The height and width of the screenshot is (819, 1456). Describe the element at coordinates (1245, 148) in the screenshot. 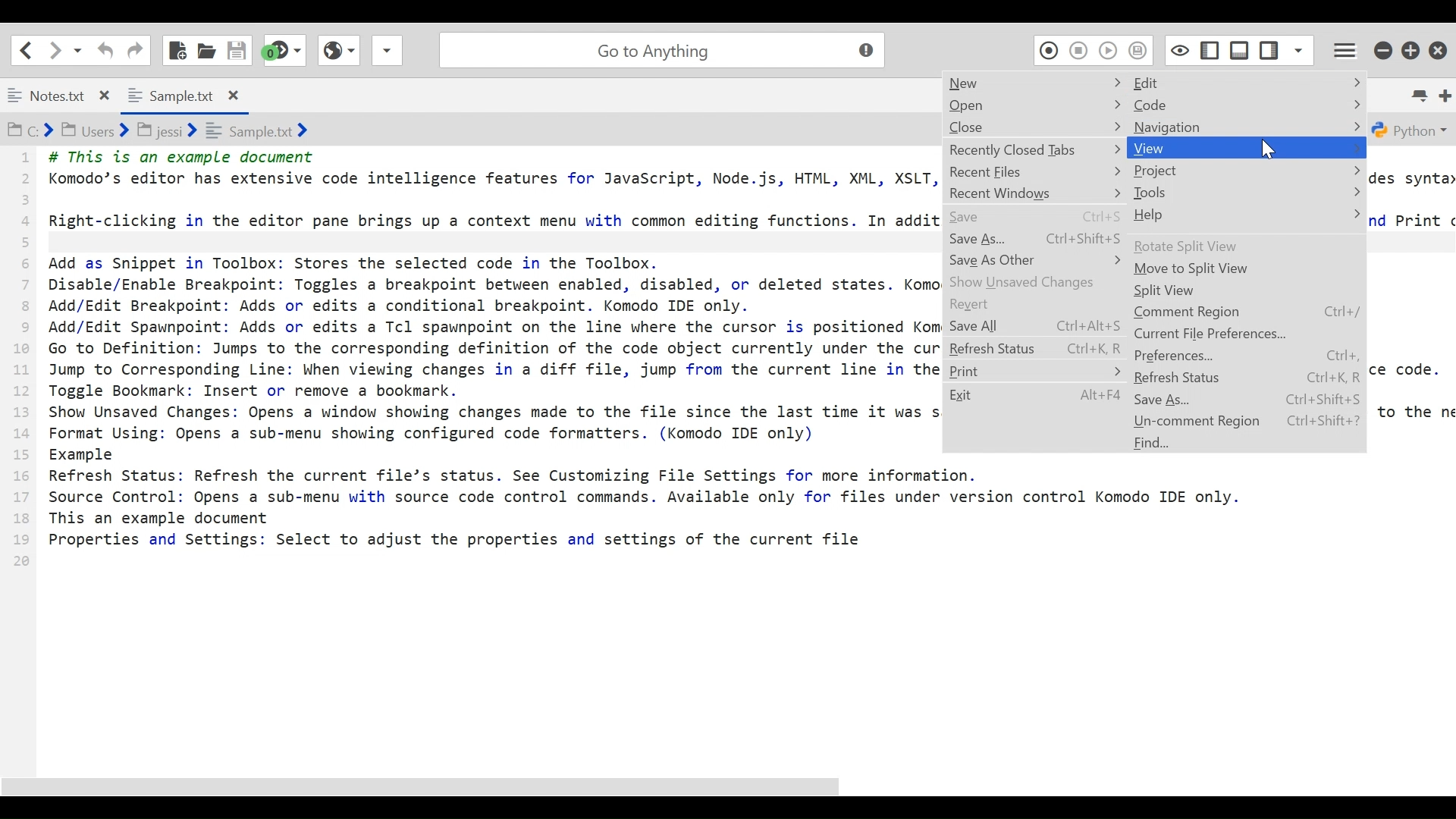

I see `View` at that location.